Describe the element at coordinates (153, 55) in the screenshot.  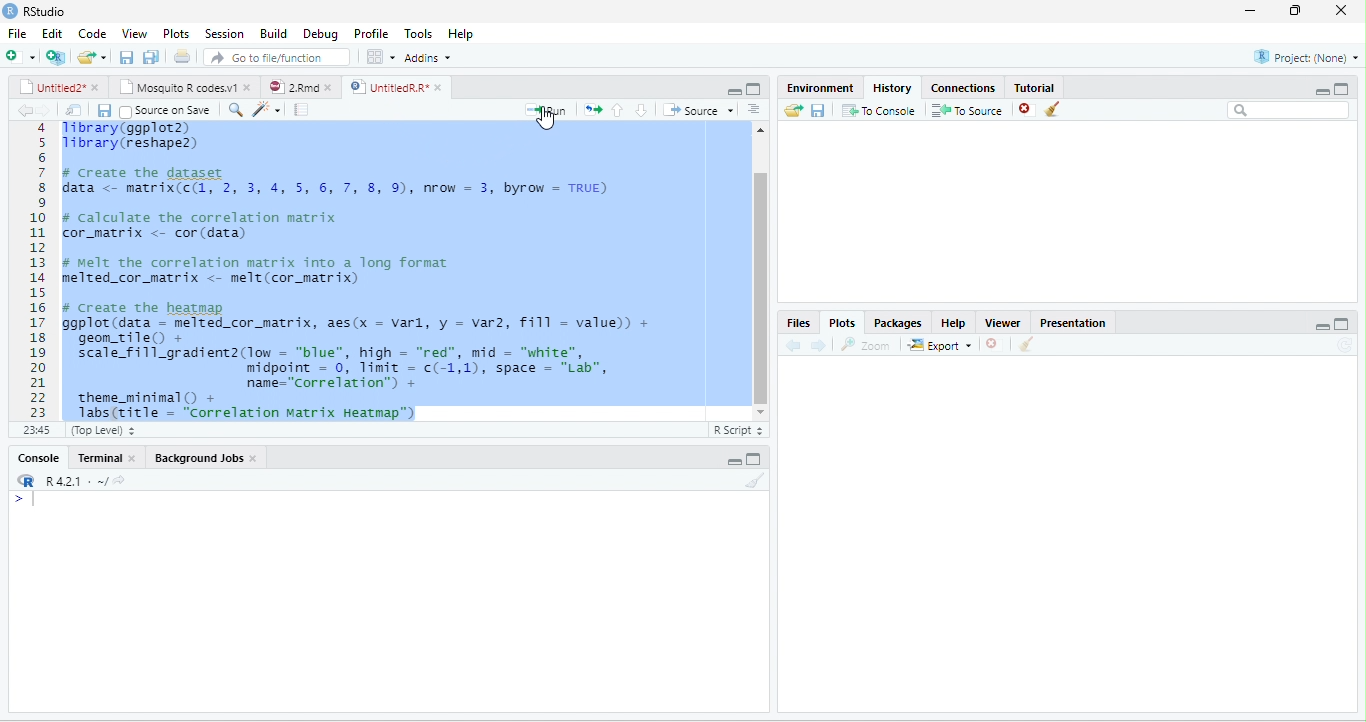
I see `` at that location.